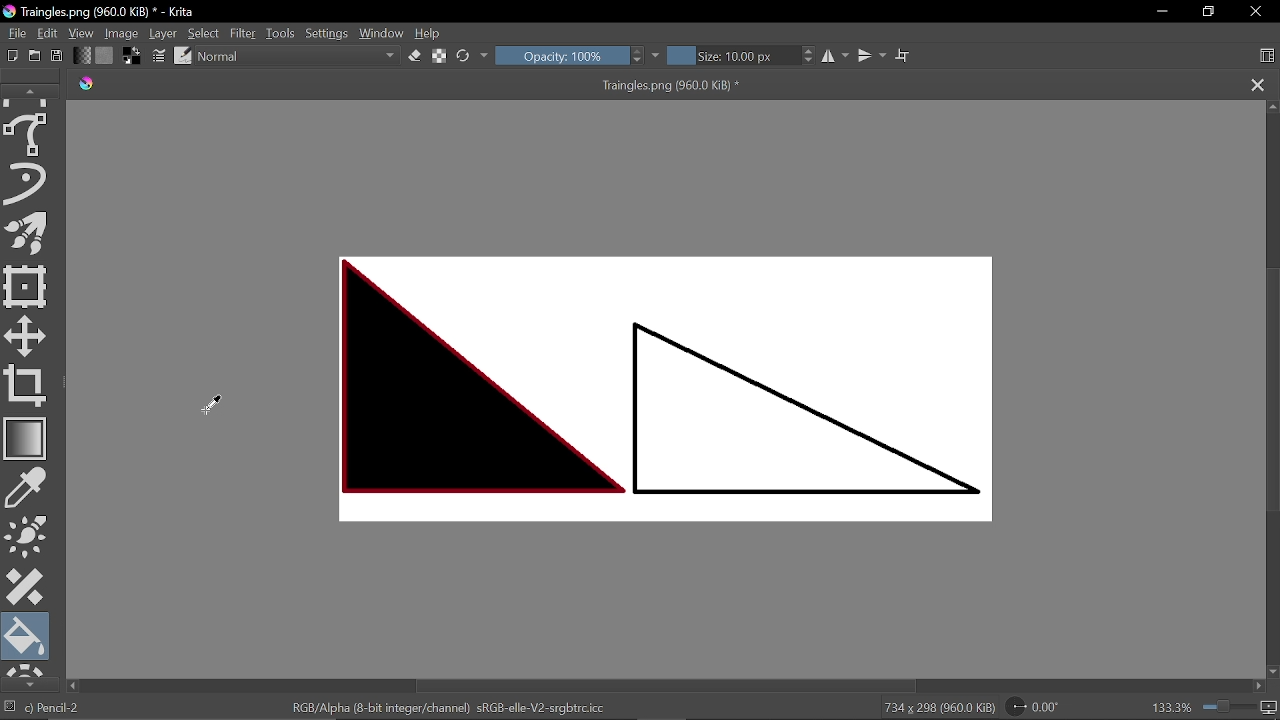  Describe the element at coordinates (1267, 708) in the screenshot. I see `Pixel size` at that location.